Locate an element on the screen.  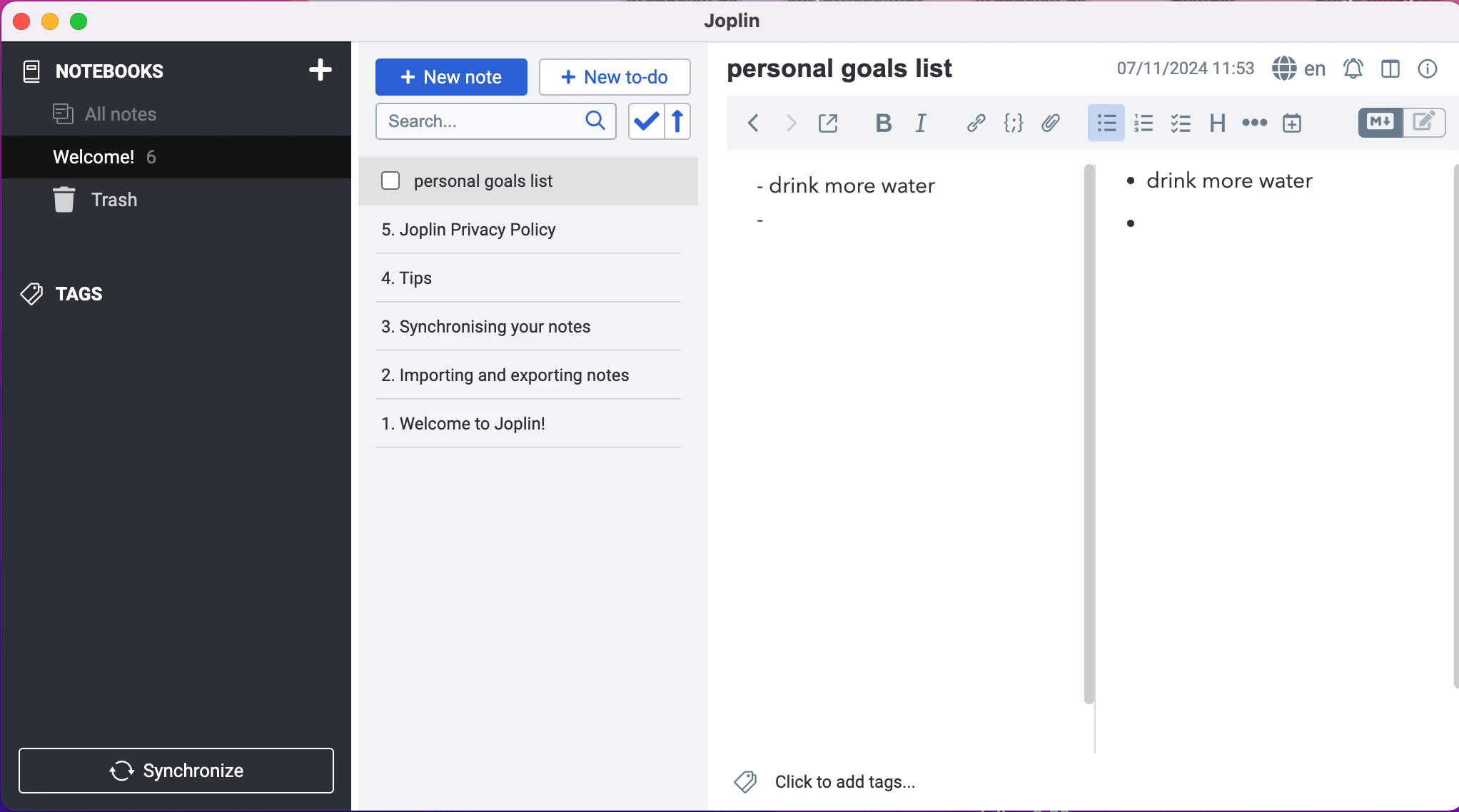
synchronize is located at coordinates (181, 770).